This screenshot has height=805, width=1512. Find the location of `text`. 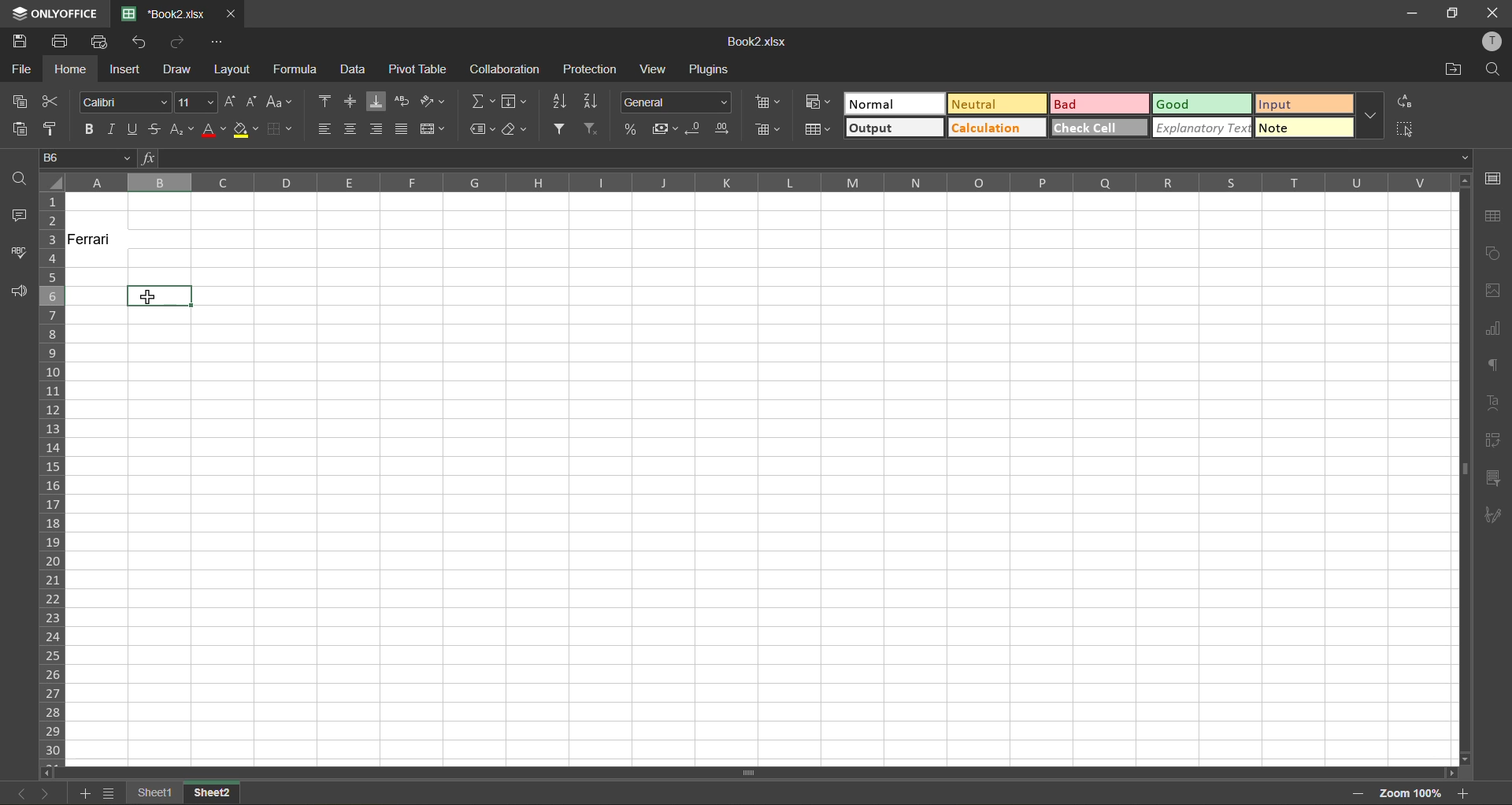

text is located at coordinates (1496, 402).